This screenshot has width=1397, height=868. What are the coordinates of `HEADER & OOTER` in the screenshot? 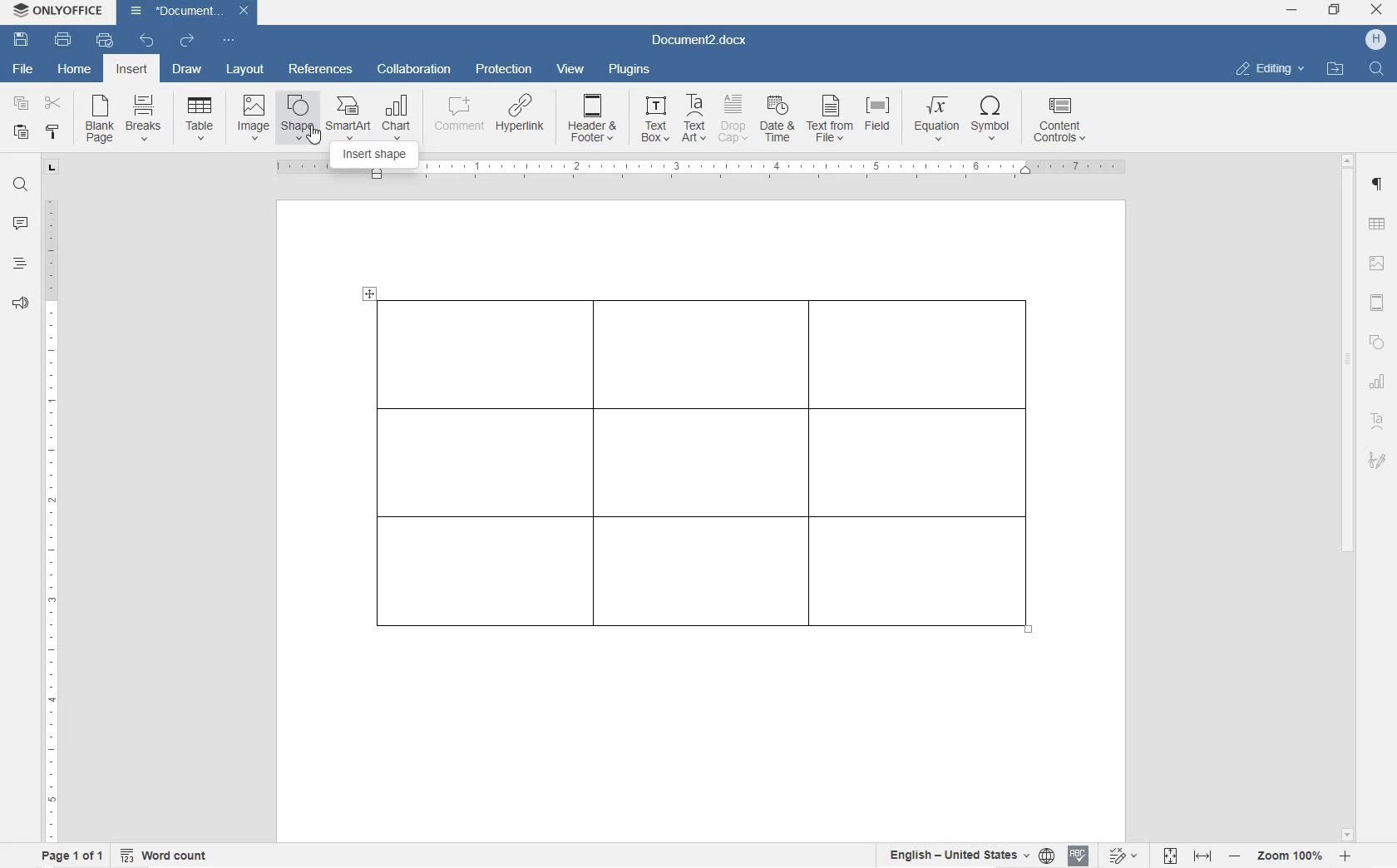 It's located at (593, 119).